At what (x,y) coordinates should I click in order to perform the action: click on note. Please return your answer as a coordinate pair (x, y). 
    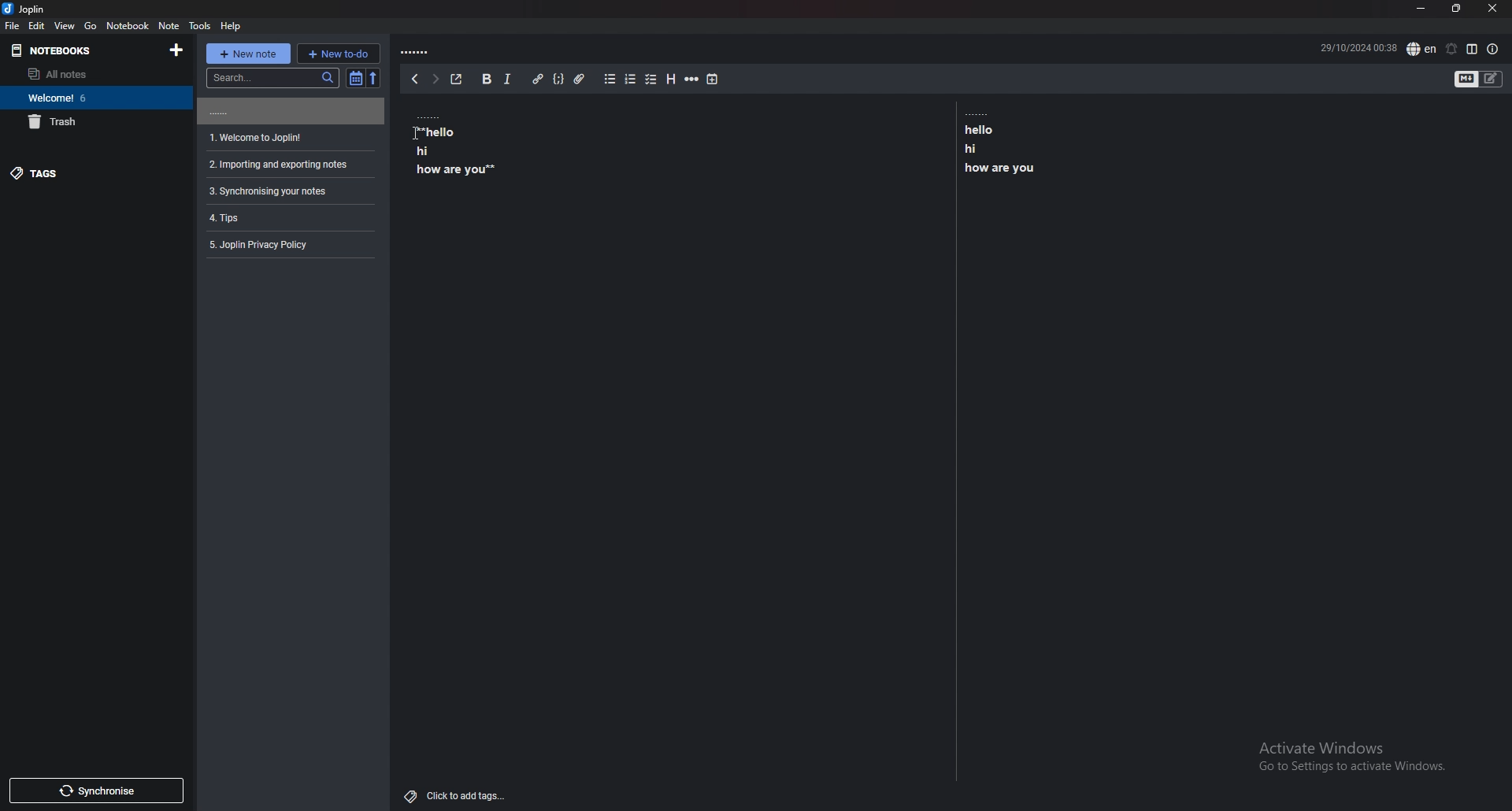
    Looking at the image, I should click on (288, 191).